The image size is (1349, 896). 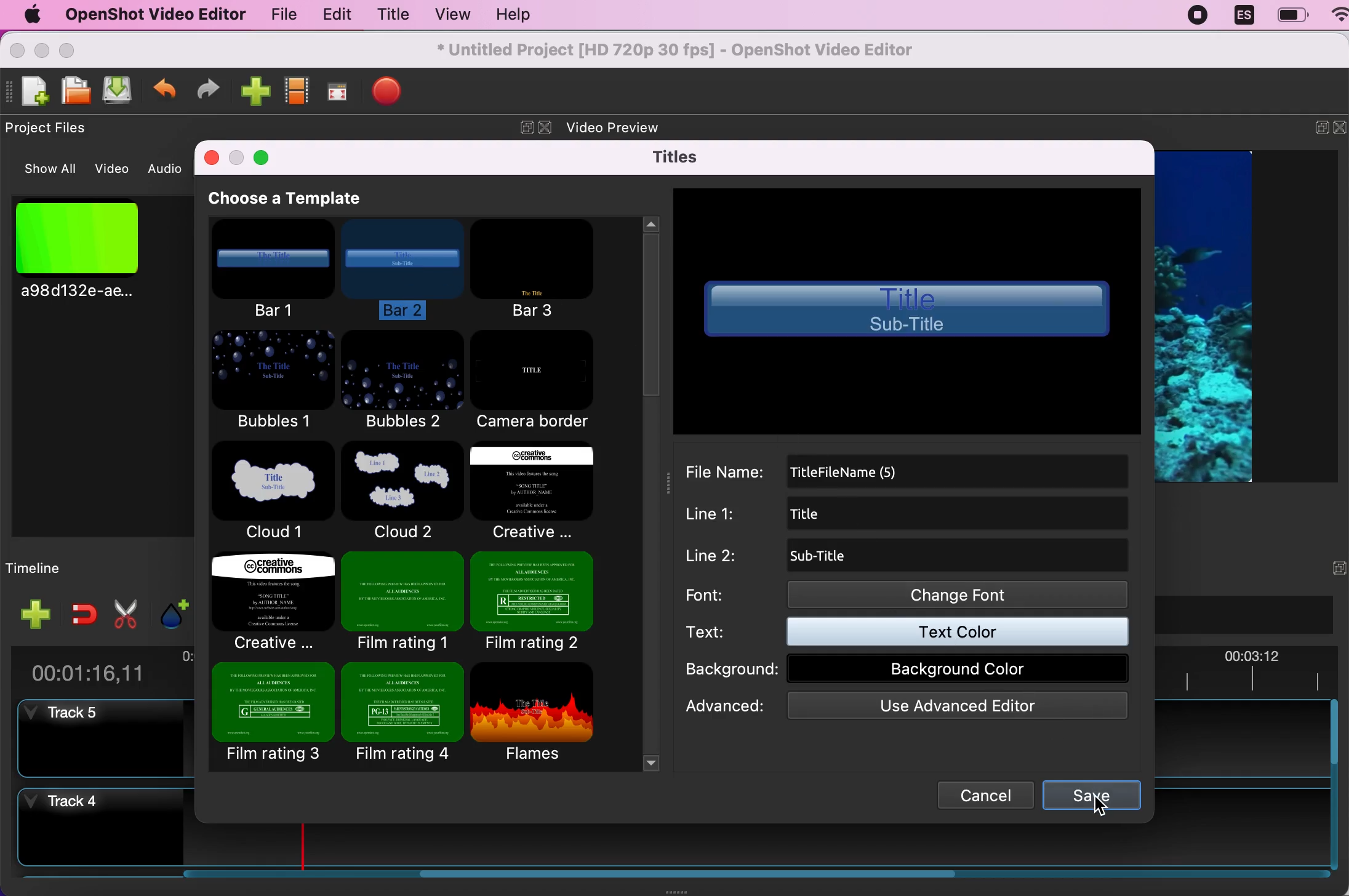 What do you see at coordinates (908, 596) in the screenshot?
I see `font` at bounding box center [908, 596].